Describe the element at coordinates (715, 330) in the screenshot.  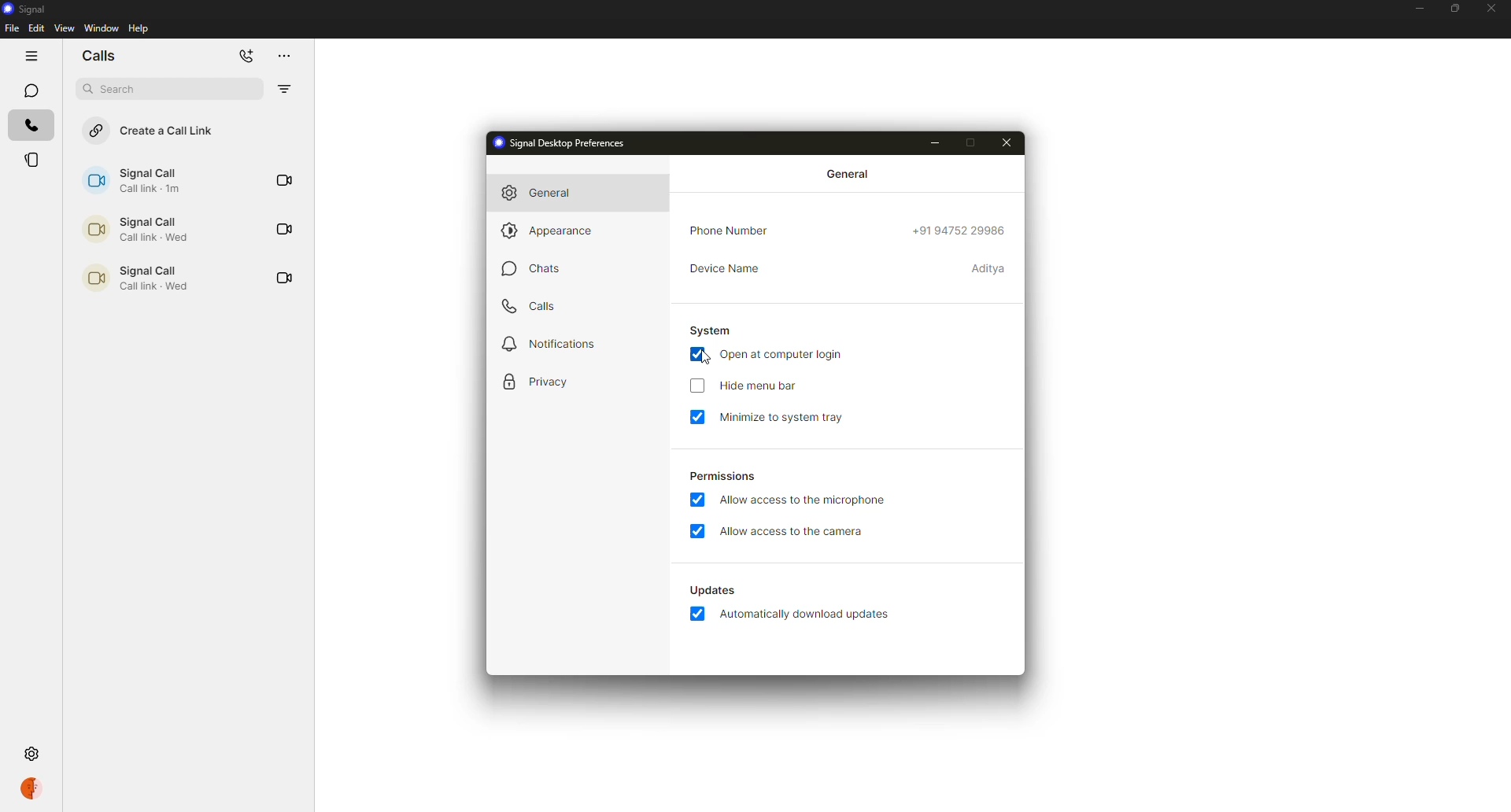
I see `system` at that location.